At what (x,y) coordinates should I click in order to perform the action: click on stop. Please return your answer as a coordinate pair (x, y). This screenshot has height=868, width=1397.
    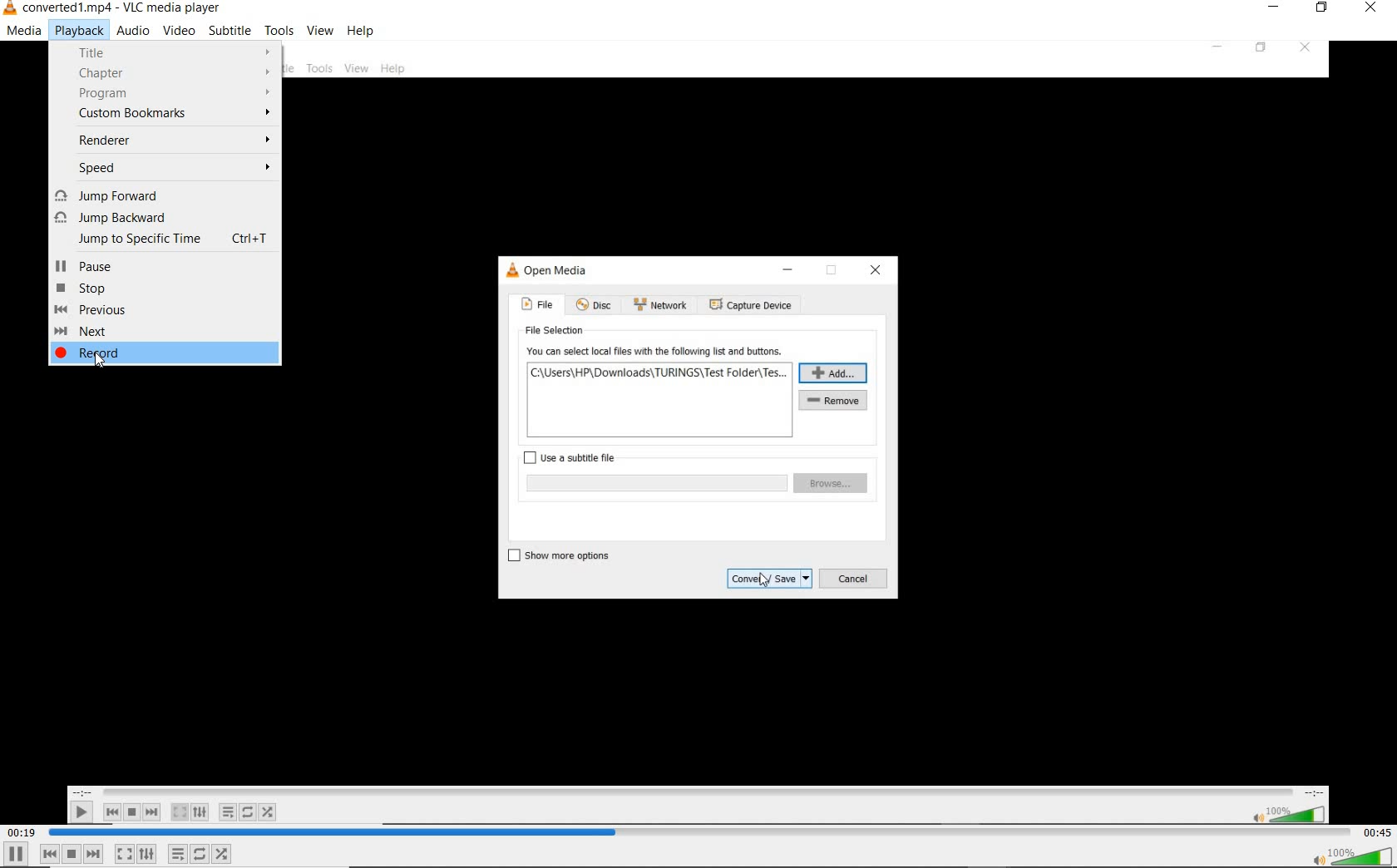
    Looking at the image, I should click on (88, 288).